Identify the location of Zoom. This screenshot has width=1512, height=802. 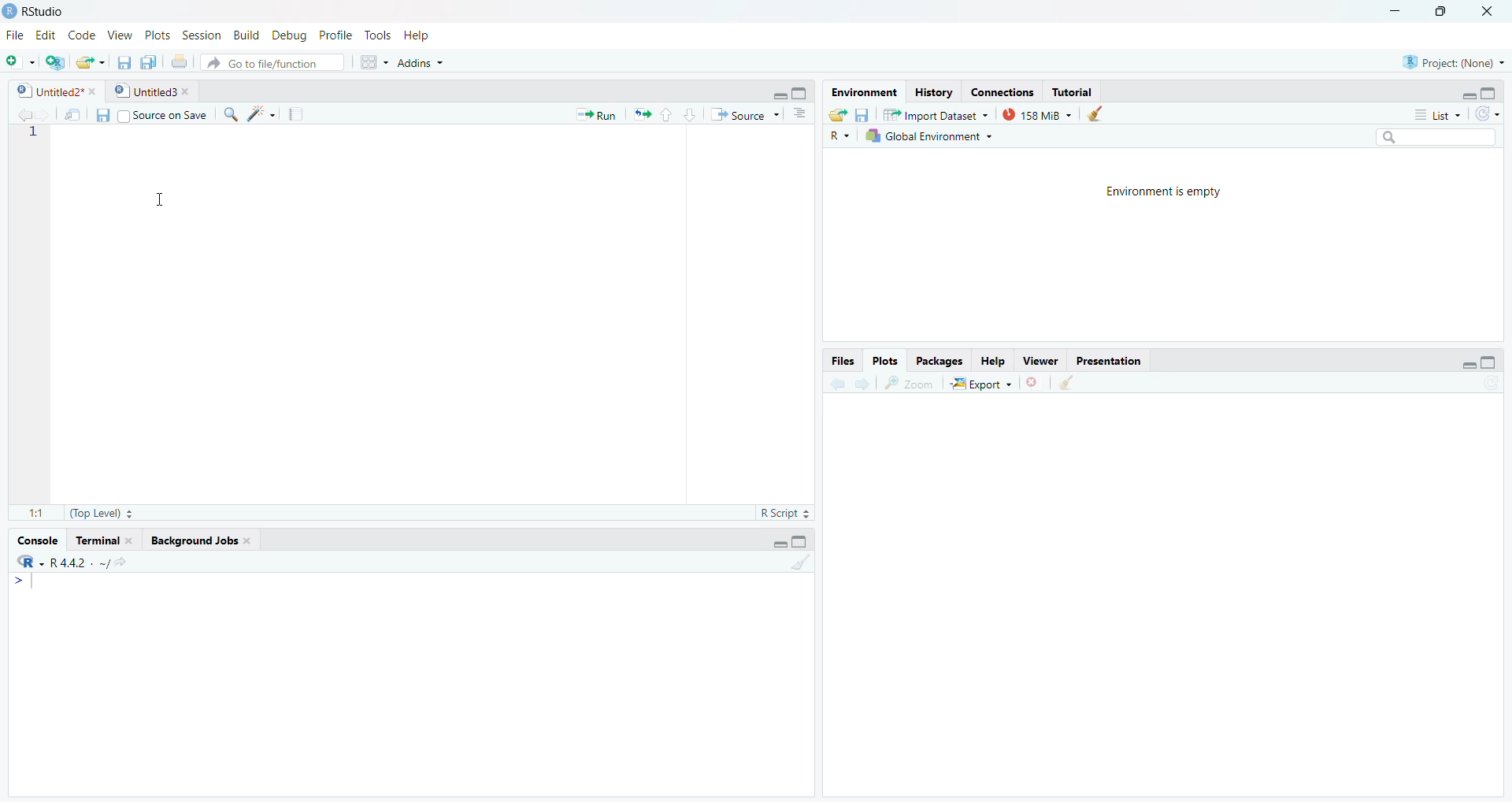
(911, 384).